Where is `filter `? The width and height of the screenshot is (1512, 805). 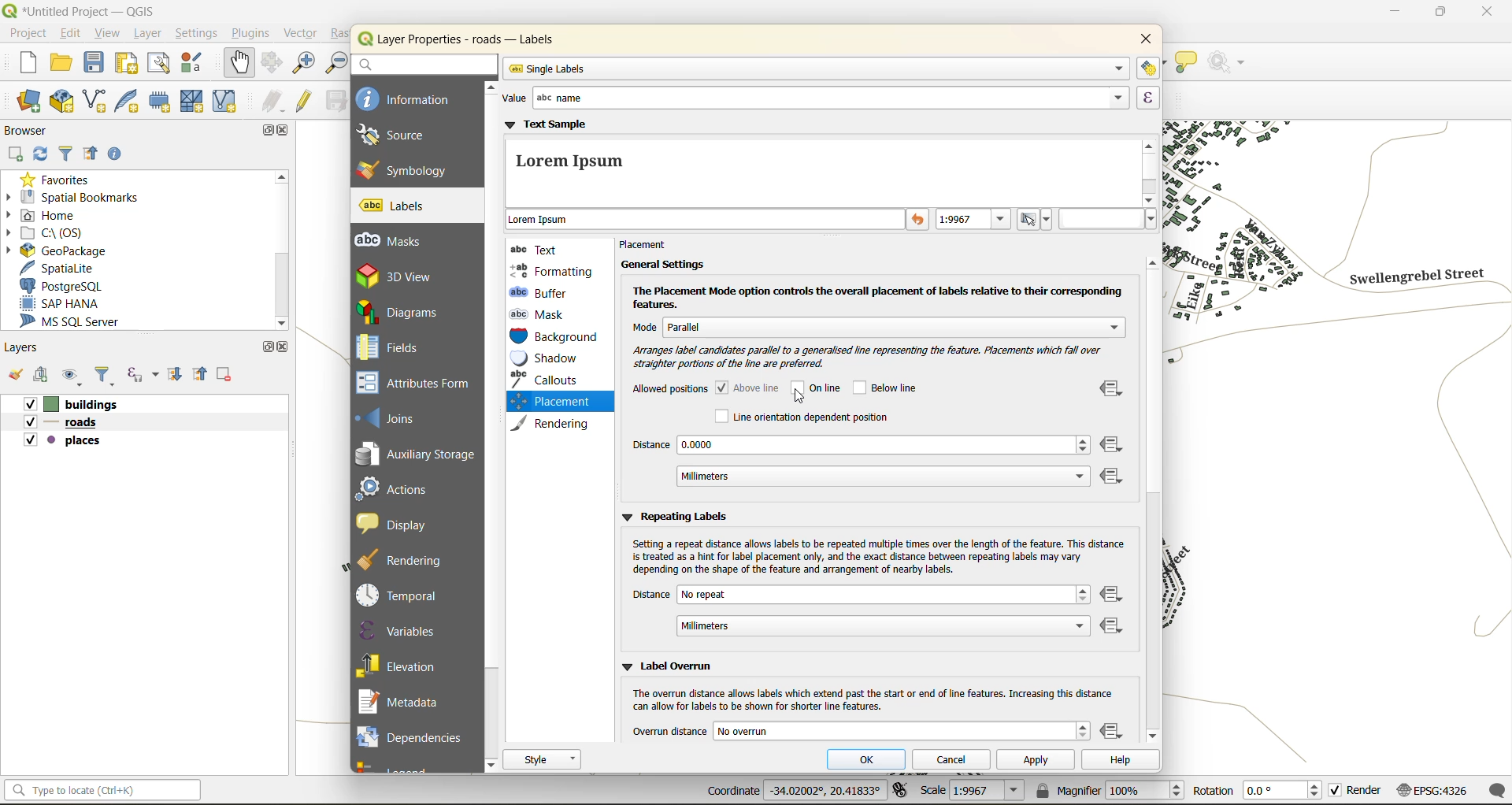 filter  is located at coordinates (106, 377).